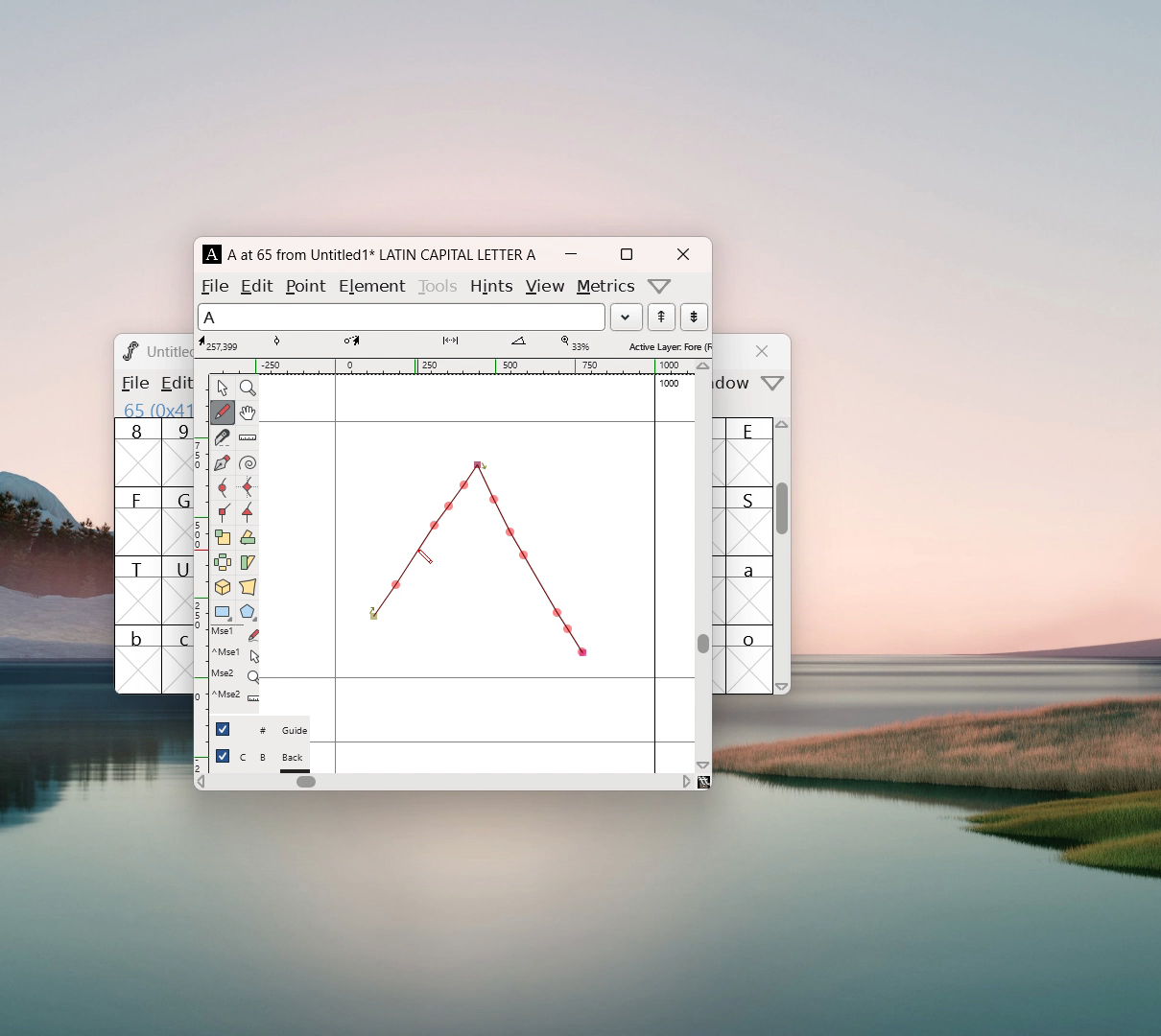  What do you see at coordinates (273, 731) in the screenshot?
I see `# Guide` at bounding box center [273, 731].